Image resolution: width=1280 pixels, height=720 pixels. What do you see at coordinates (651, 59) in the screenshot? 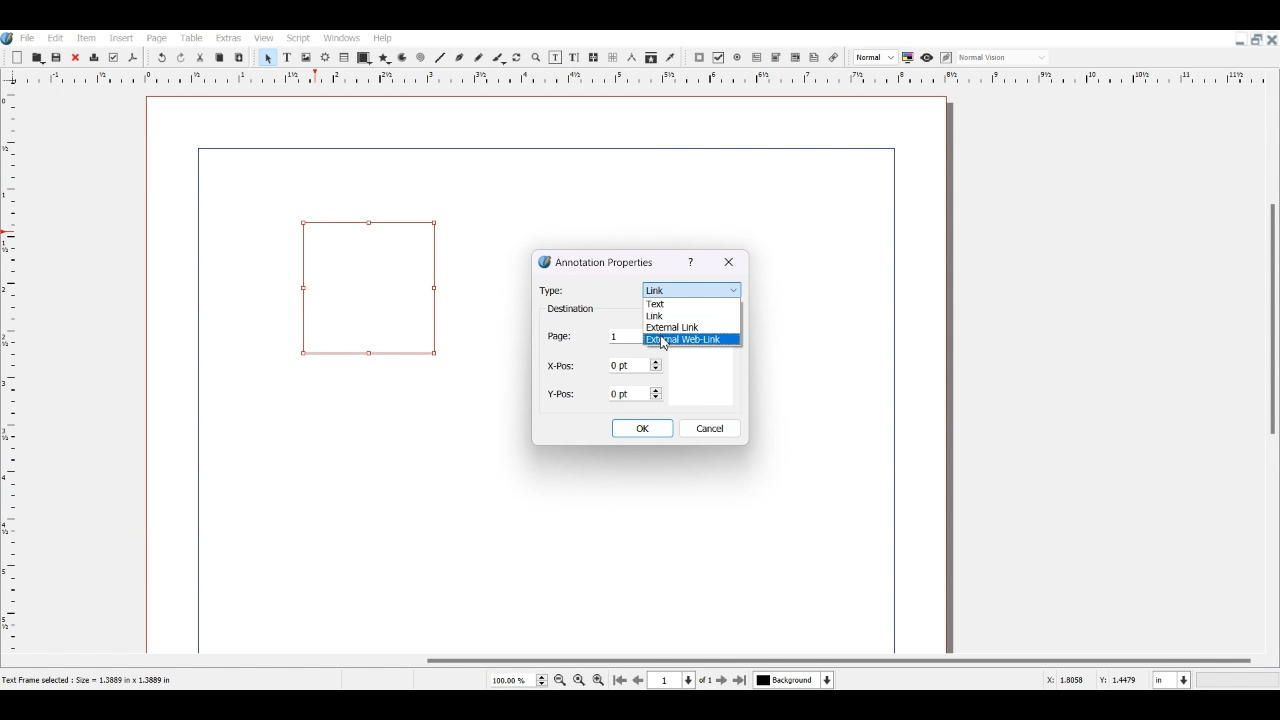
I see `Copy item properties` at bounding box center [651, 59].